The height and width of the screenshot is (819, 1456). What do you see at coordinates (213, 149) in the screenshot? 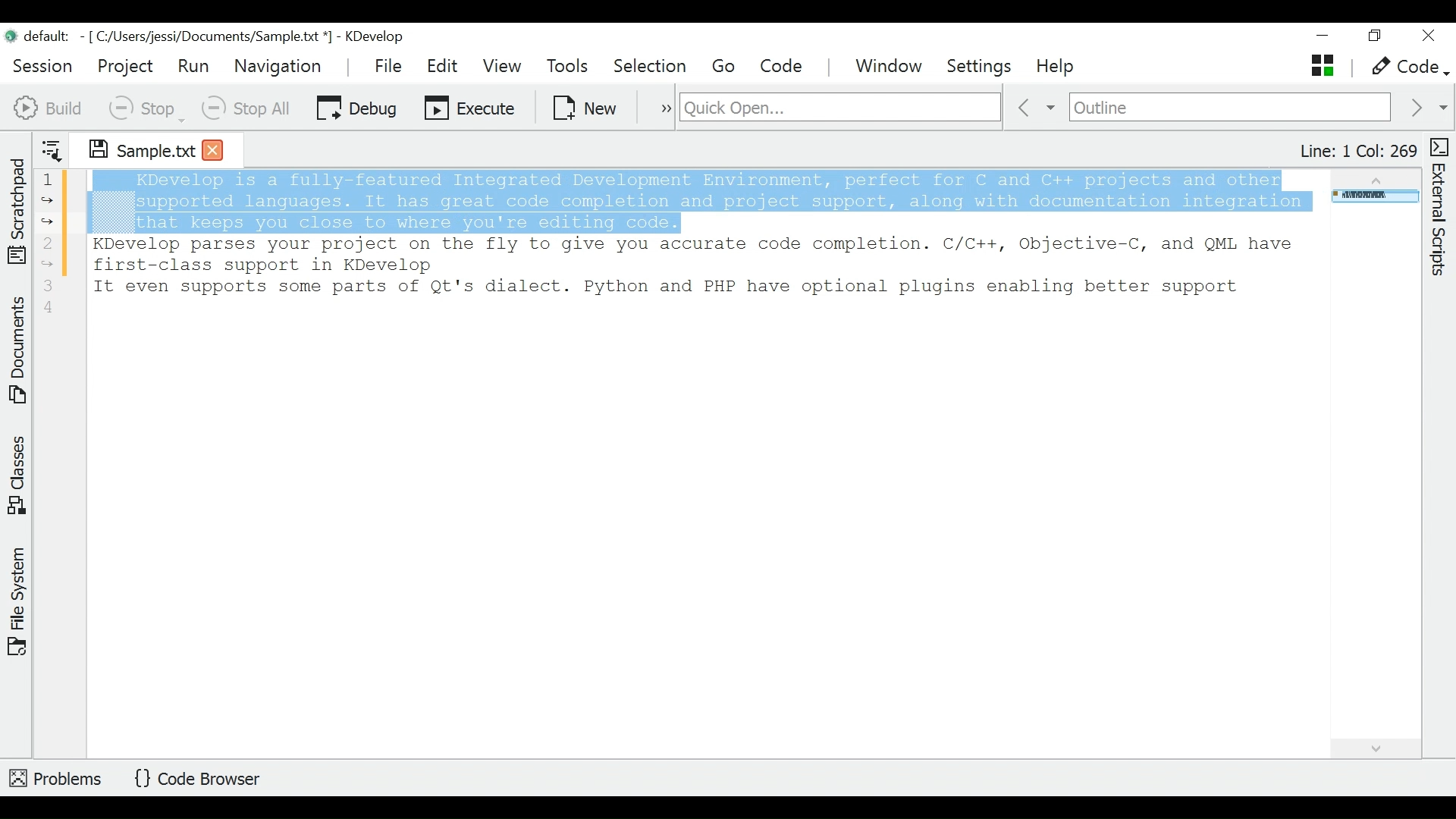
I see `Close tab` at bounding box center [213, 149].